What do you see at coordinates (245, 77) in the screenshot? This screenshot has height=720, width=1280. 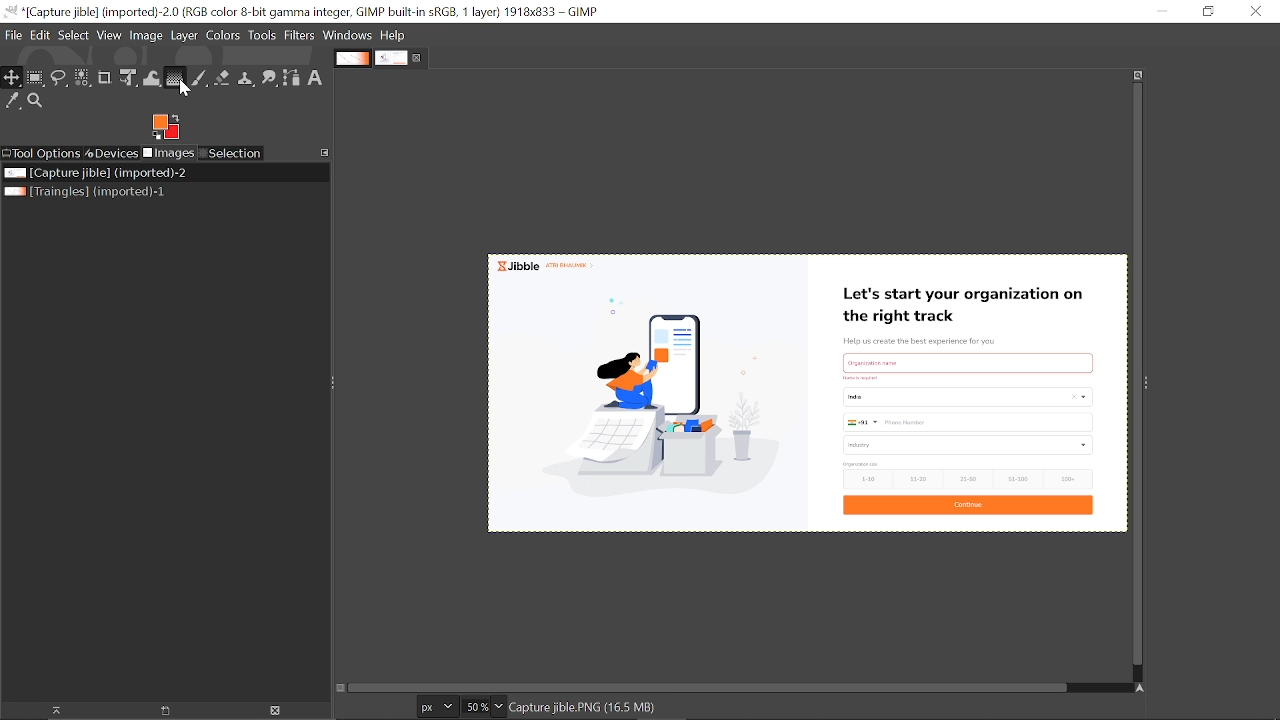 I see `Clone tool` at bounding box center [245, 77].